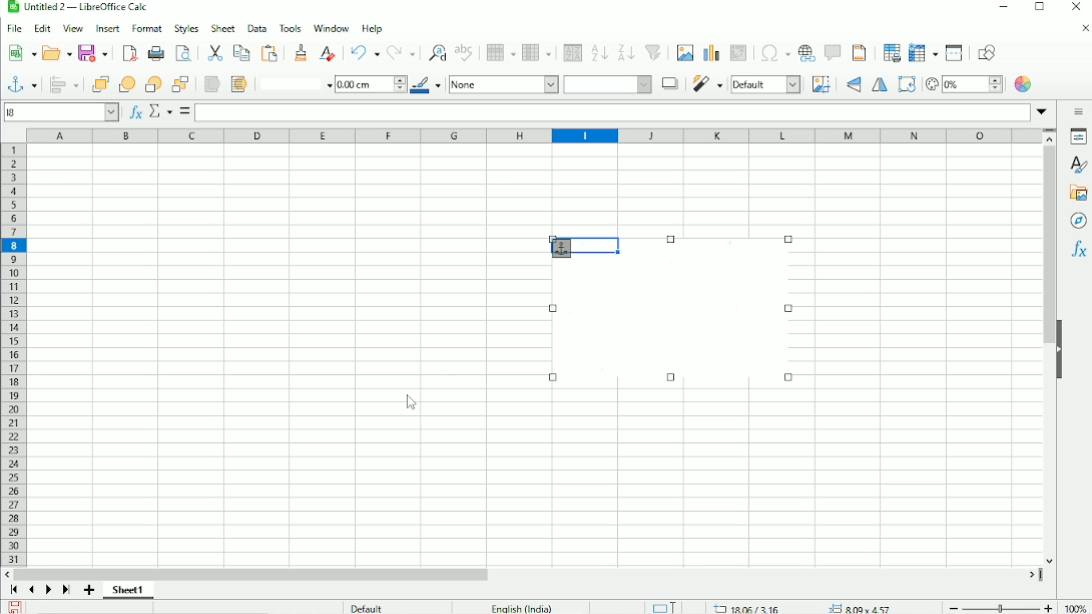 The image size is (1092, 614). What do you see at coordinates (330, 52) in the screenshot?
I see `Clear direct formatting` at bounding box center [330, 52].